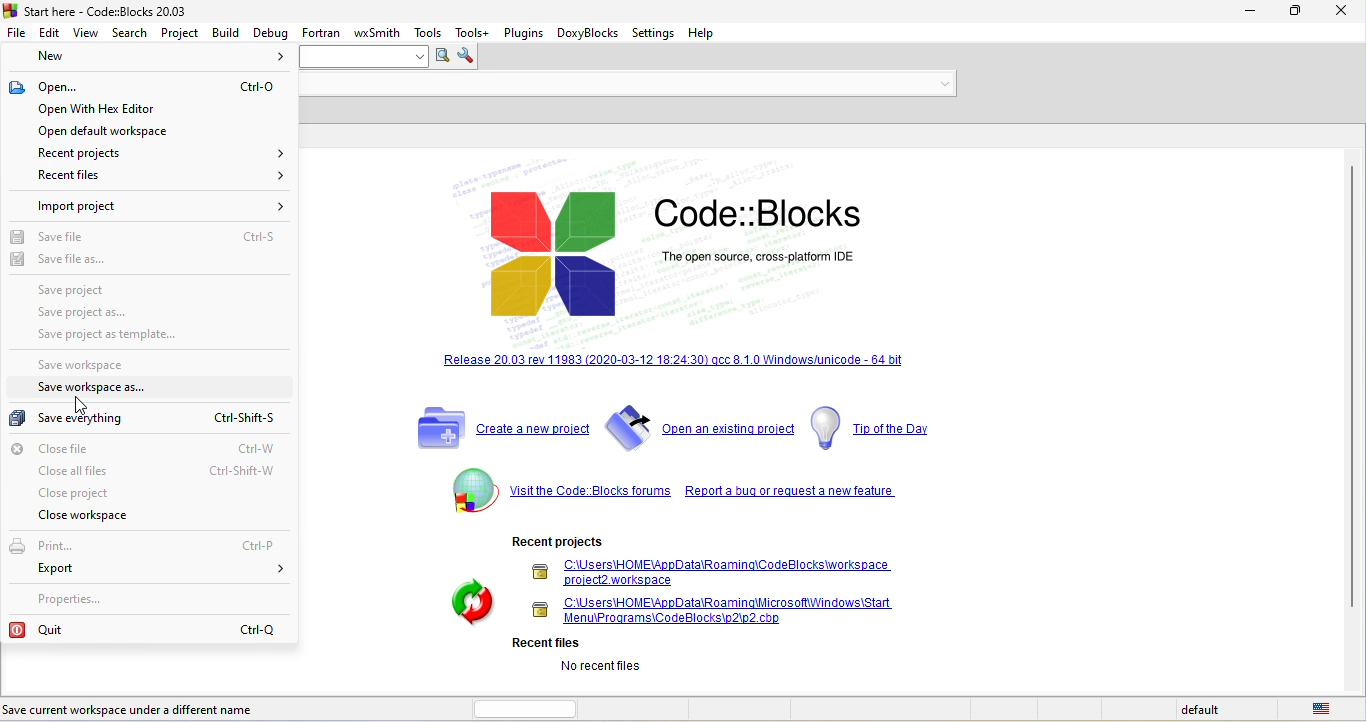 This screenshot has height=722, width=1366. What do you see at coordinates (158, 472) in the screenshot?
I see `close all files` at bounding box center [158, 472].